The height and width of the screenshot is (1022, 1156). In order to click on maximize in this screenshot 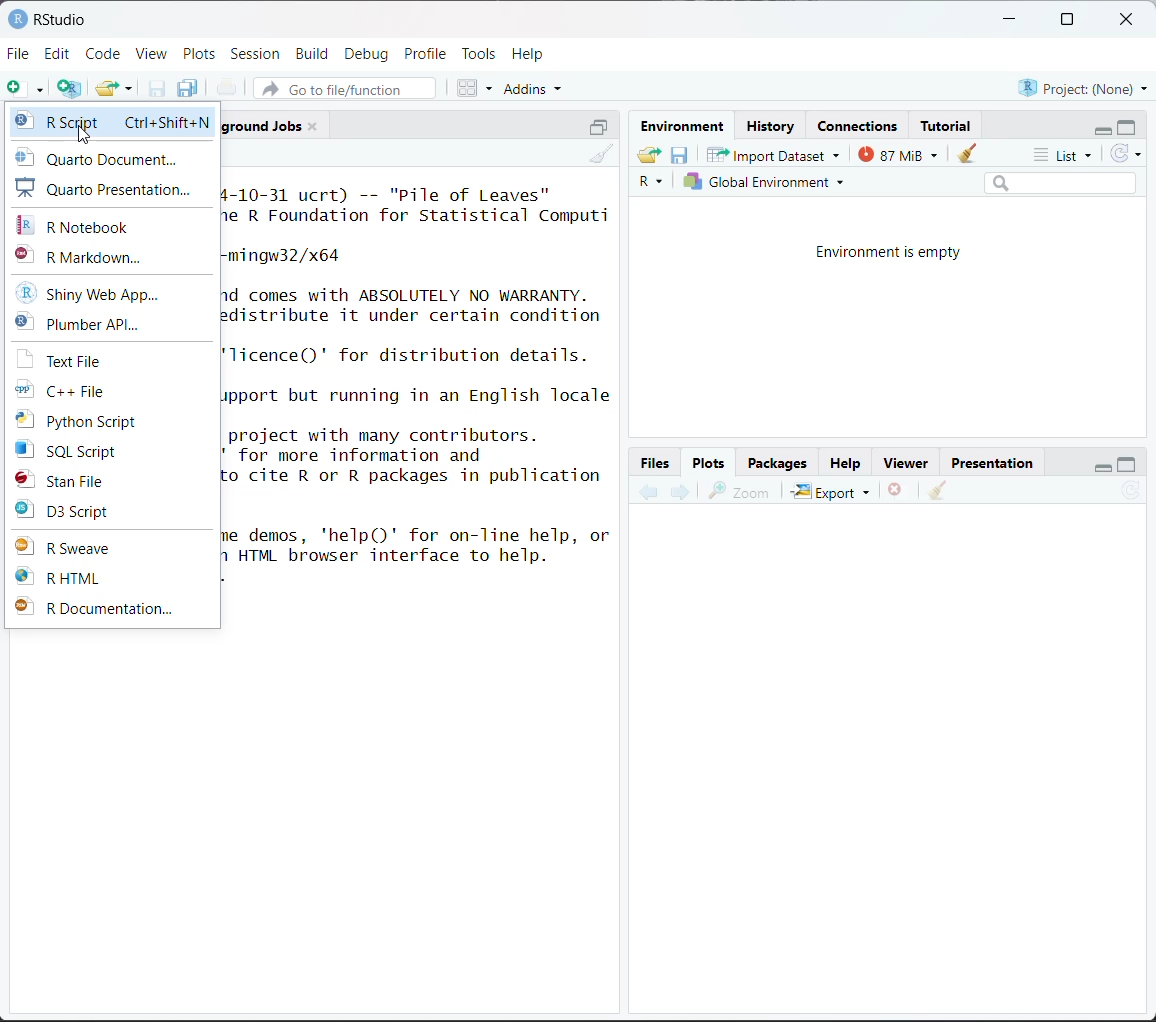, I will do `click(1128, 126)`.